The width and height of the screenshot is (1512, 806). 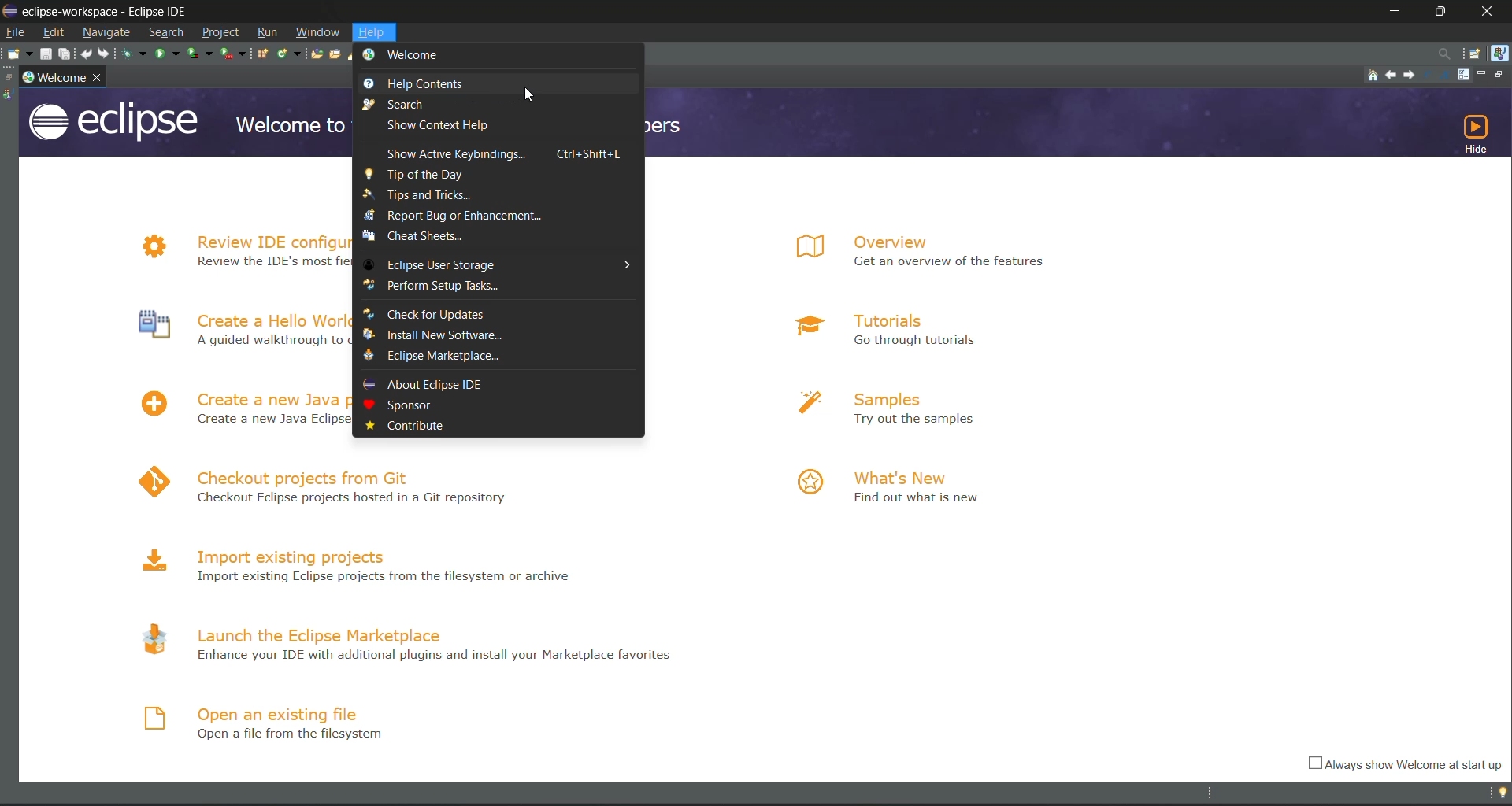 I want to click on open perspective, so click(x=1477, y=54).